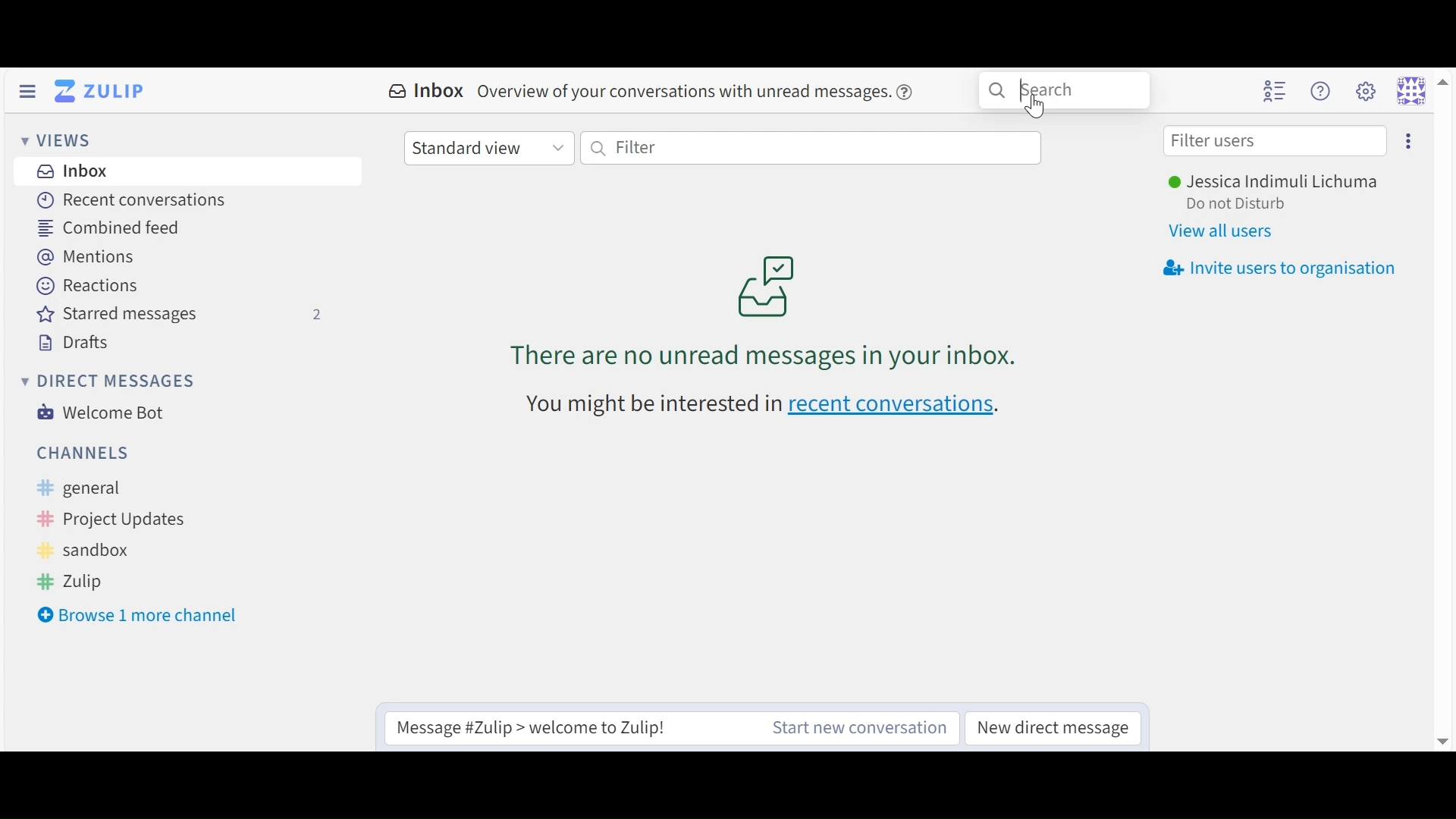 This screenshot has width=1456, height=819. Describe the element at coordinates (861, 726) in the screenshot. I see `Start new conversation` at that location.